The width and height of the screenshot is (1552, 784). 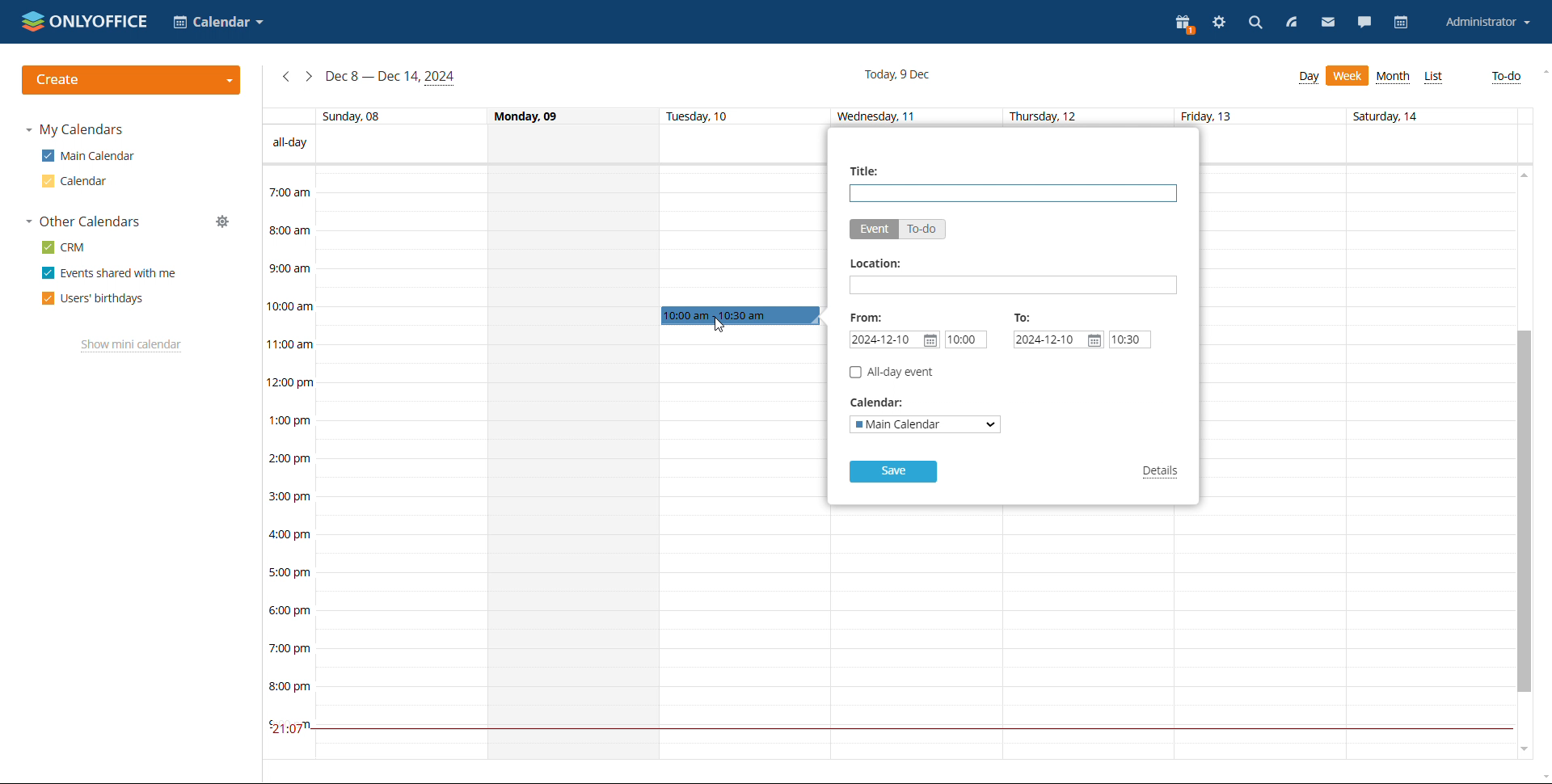 What do you see at coordinates (717, 326) in the screenshot?
I see `cursor` at bounding box center [717, 326].